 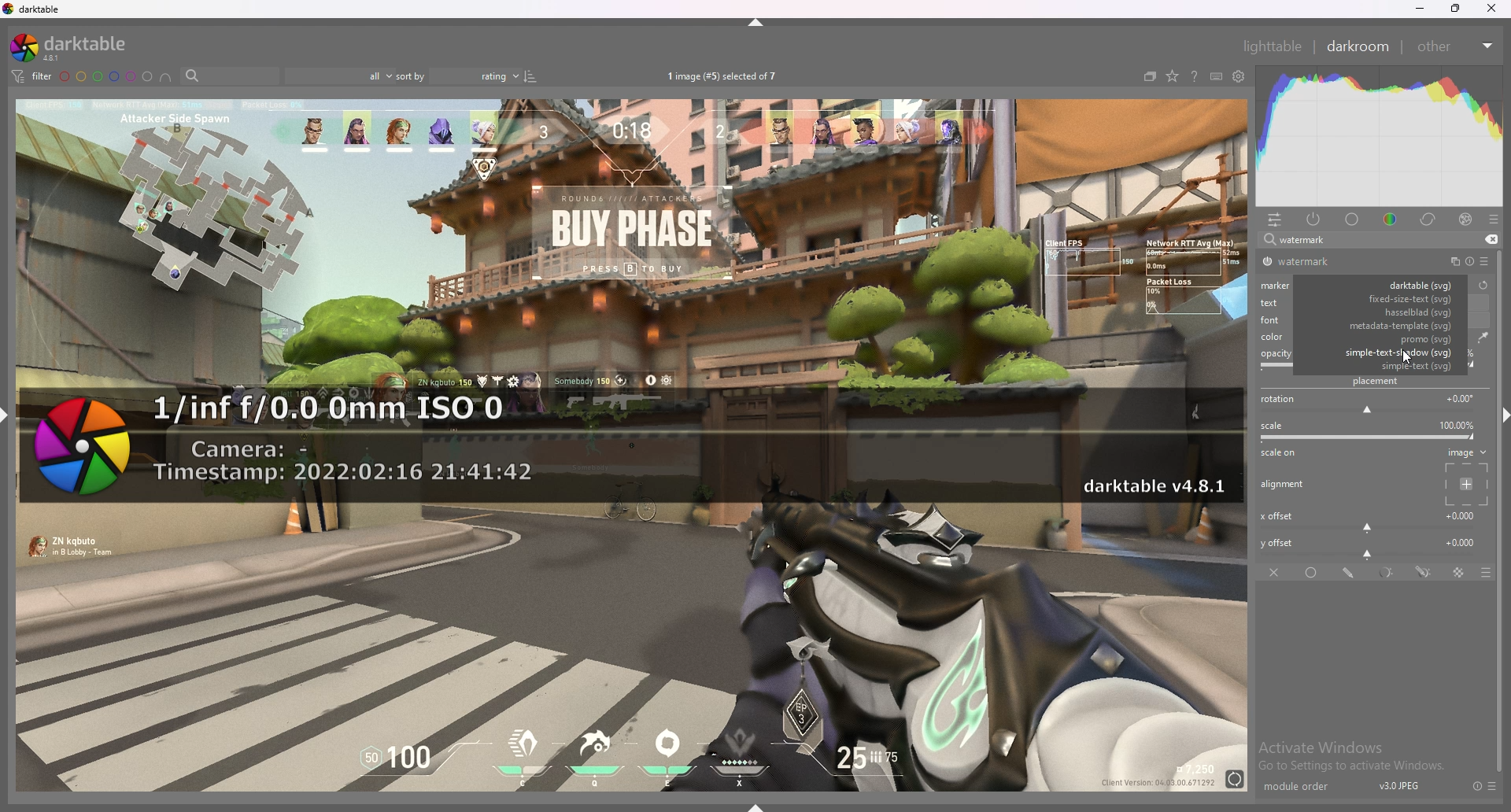 I want to click on hasselblad svg, so click(x=1383, y=313).